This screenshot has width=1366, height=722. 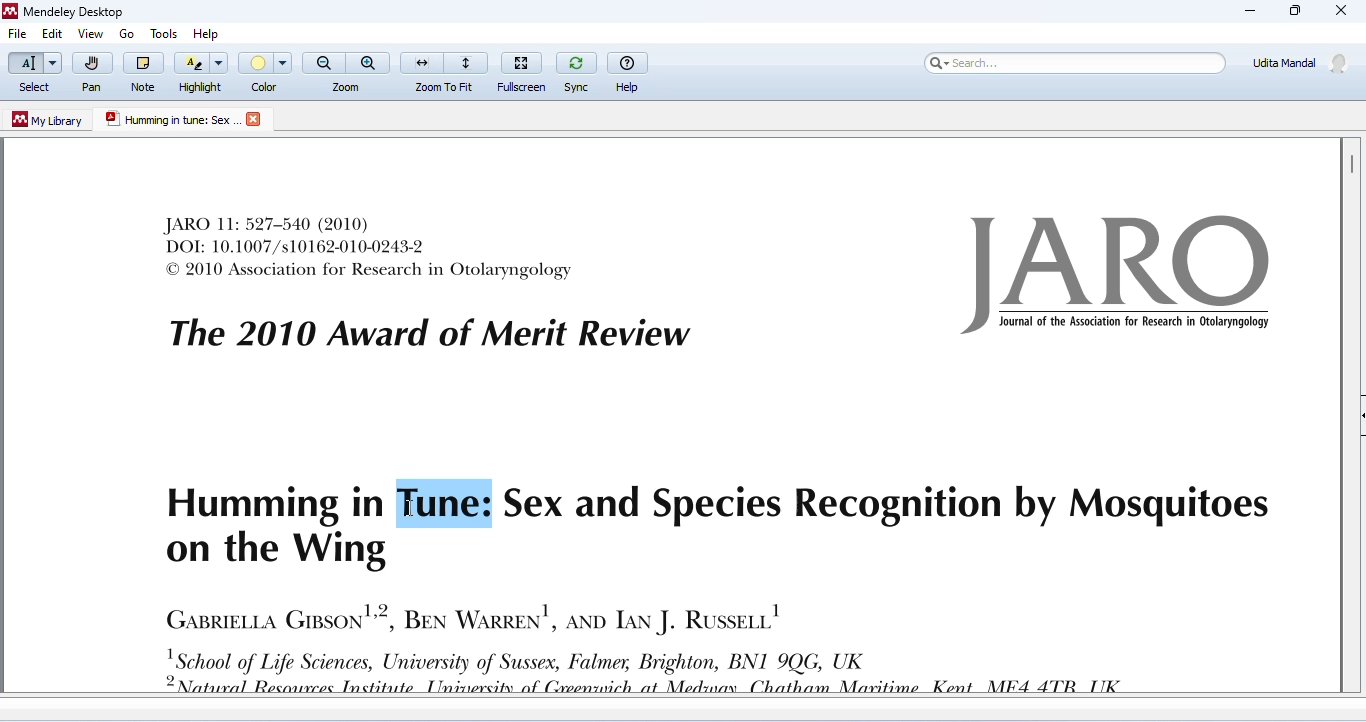 I want to click on GABRIELLA Gisson'2, BEN WARREN, AND IAN J. RUSSELL., so click(x=472, y=616).